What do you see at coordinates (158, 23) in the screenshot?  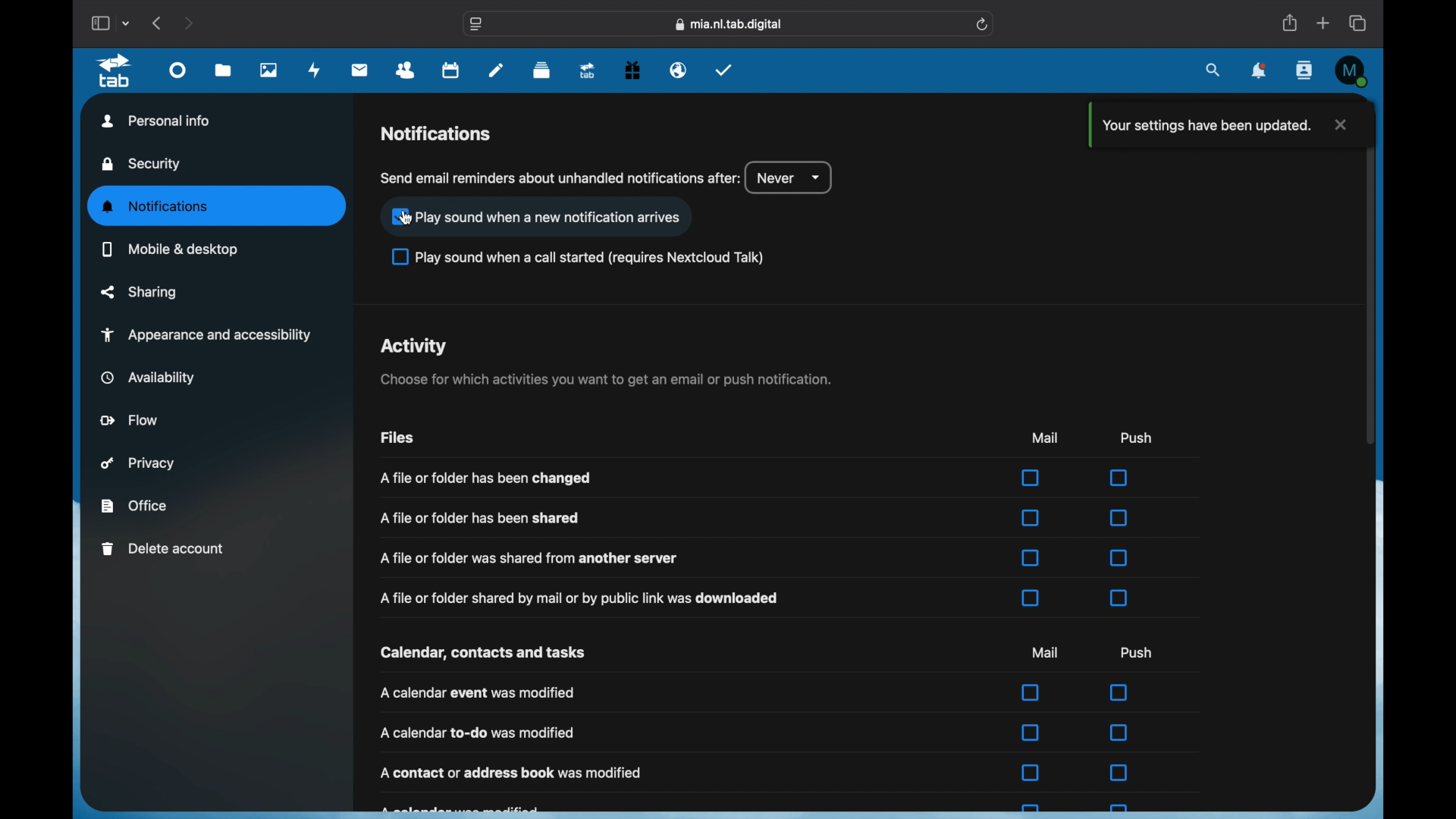 I see `previous` at bounding box center [158, 23].